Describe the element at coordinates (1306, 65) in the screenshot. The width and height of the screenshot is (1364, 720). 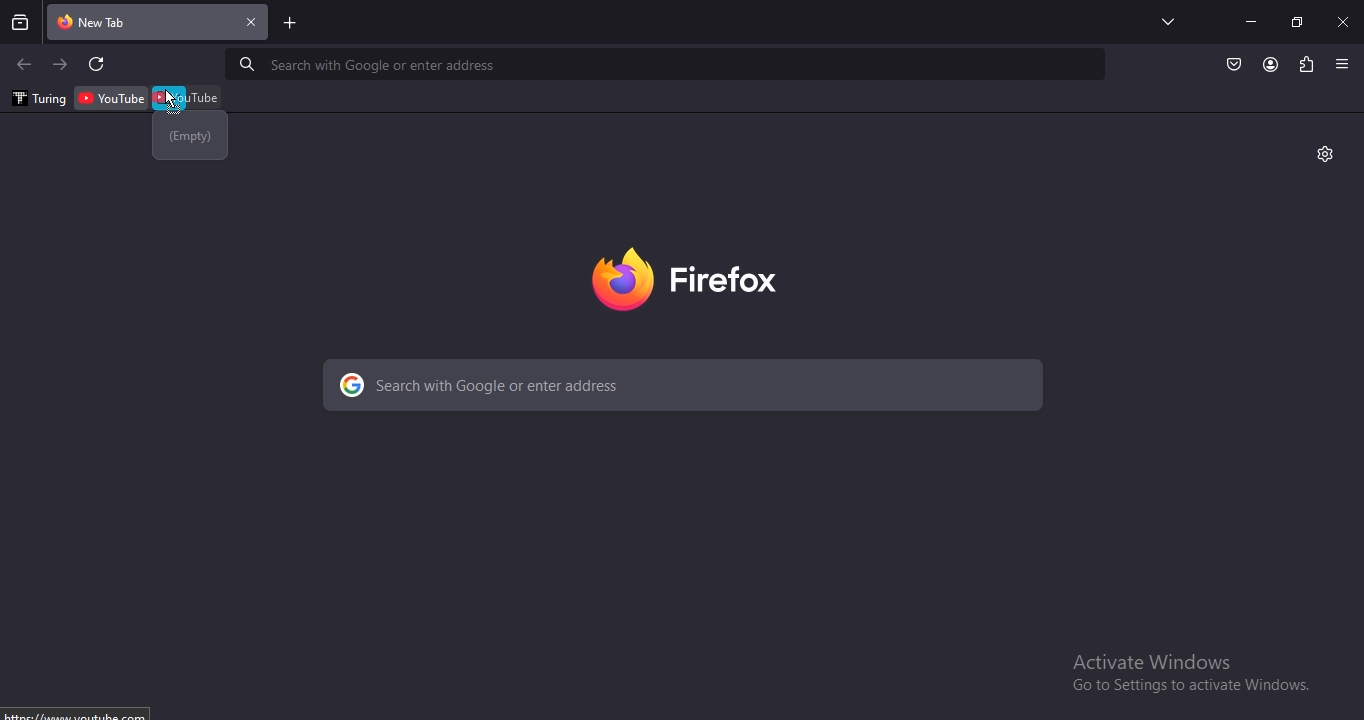
I see `extensions` at that location.